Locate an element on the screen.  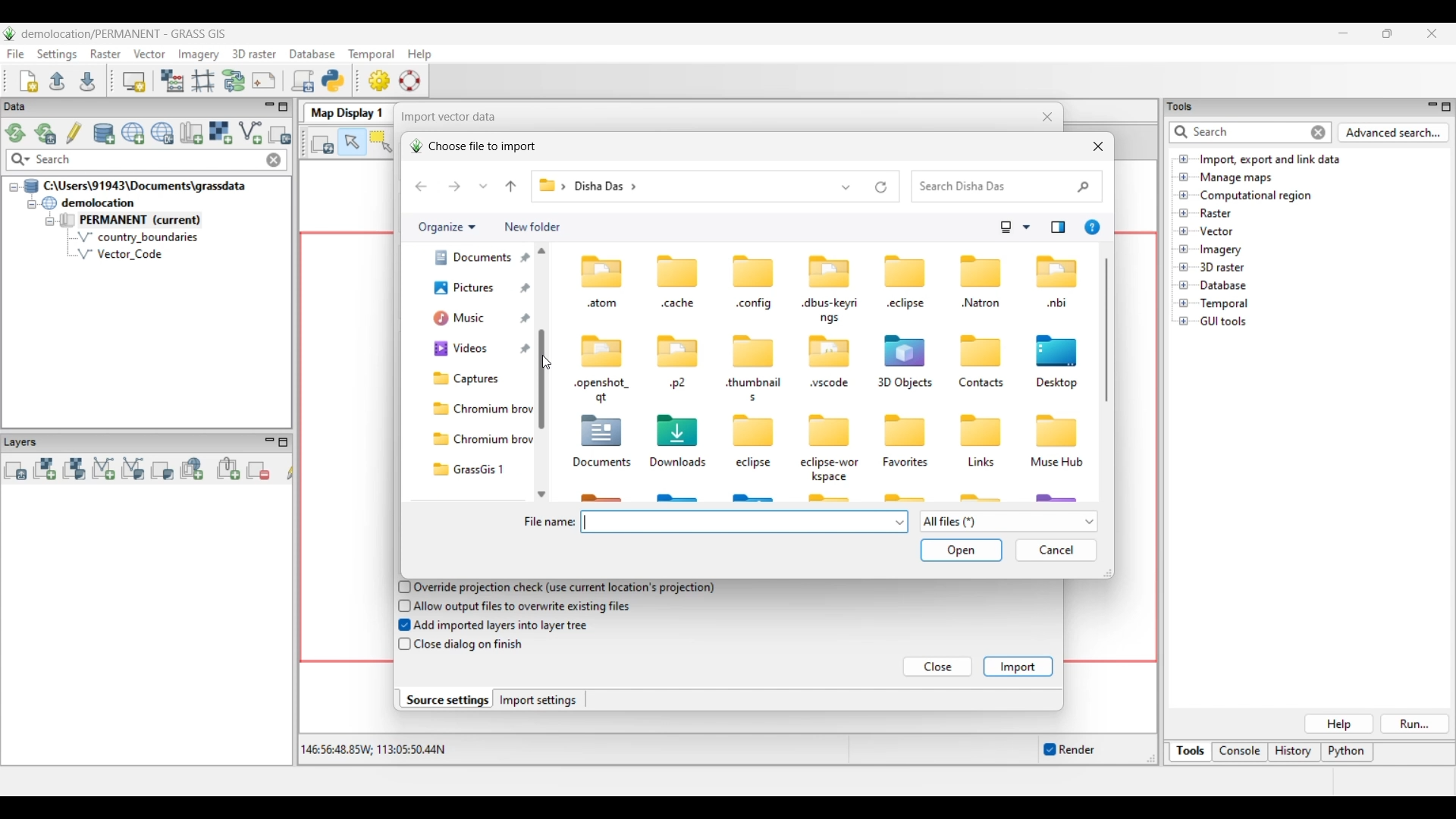
Home folder is located at coordinates (470, 263).